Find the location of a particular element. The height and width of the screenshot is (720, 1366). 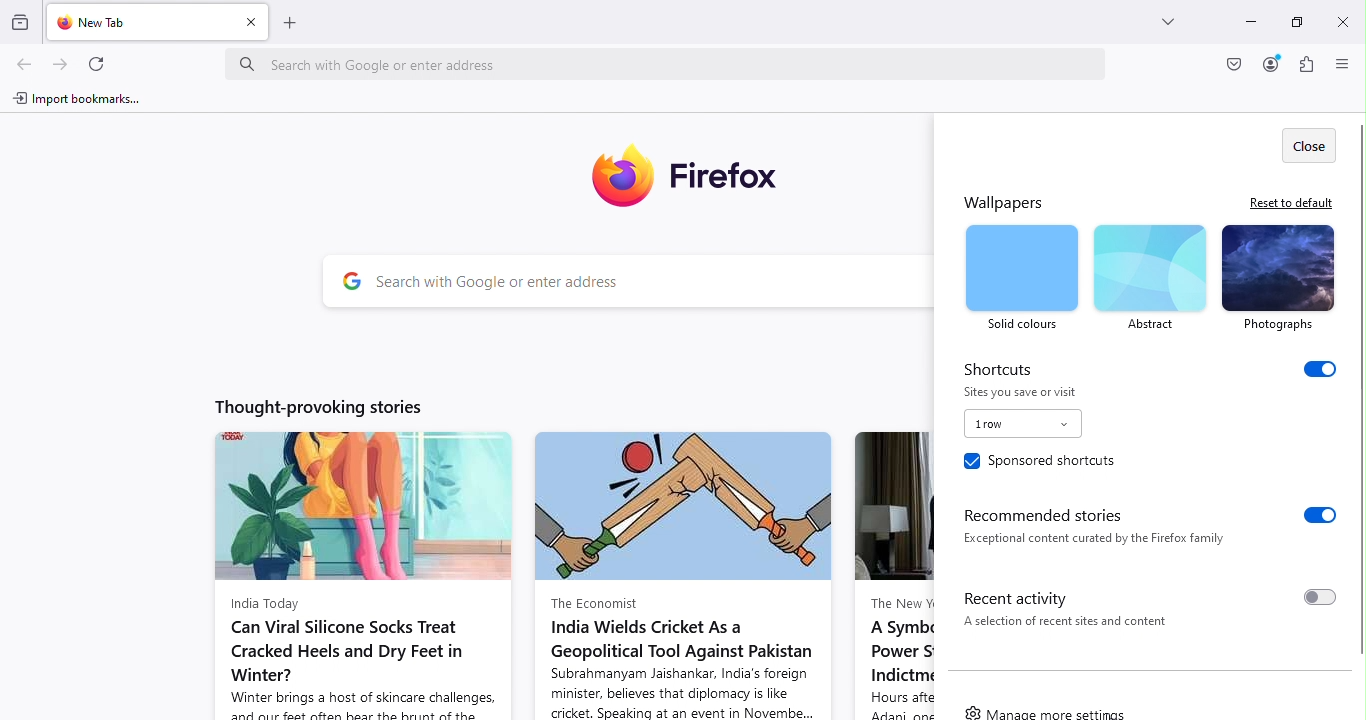

Firefox icon is located at coordinates (691, 172).